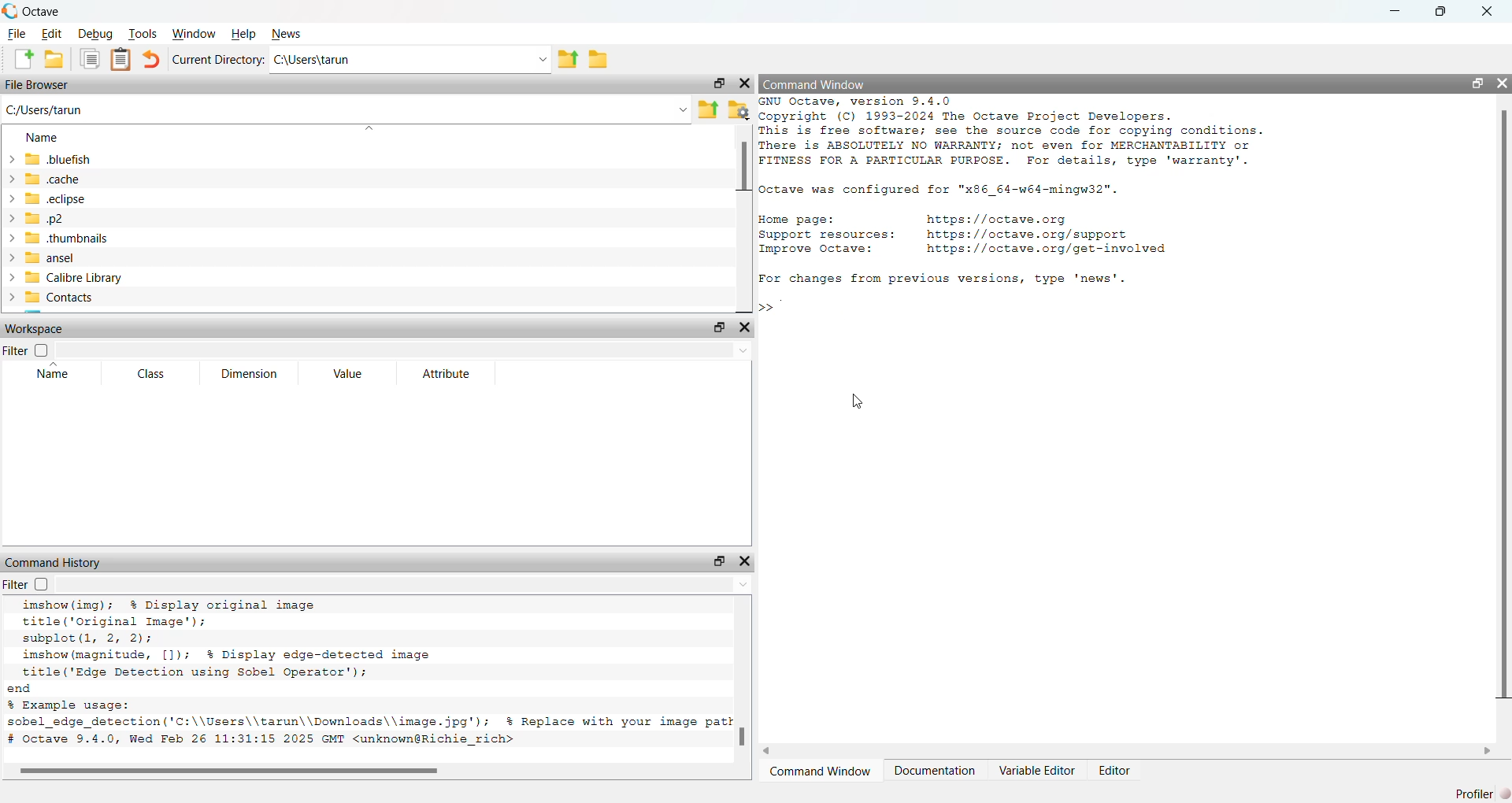 The height and width of the screenshot is (803, 1512). I want to click on folder, so click(602, 63).